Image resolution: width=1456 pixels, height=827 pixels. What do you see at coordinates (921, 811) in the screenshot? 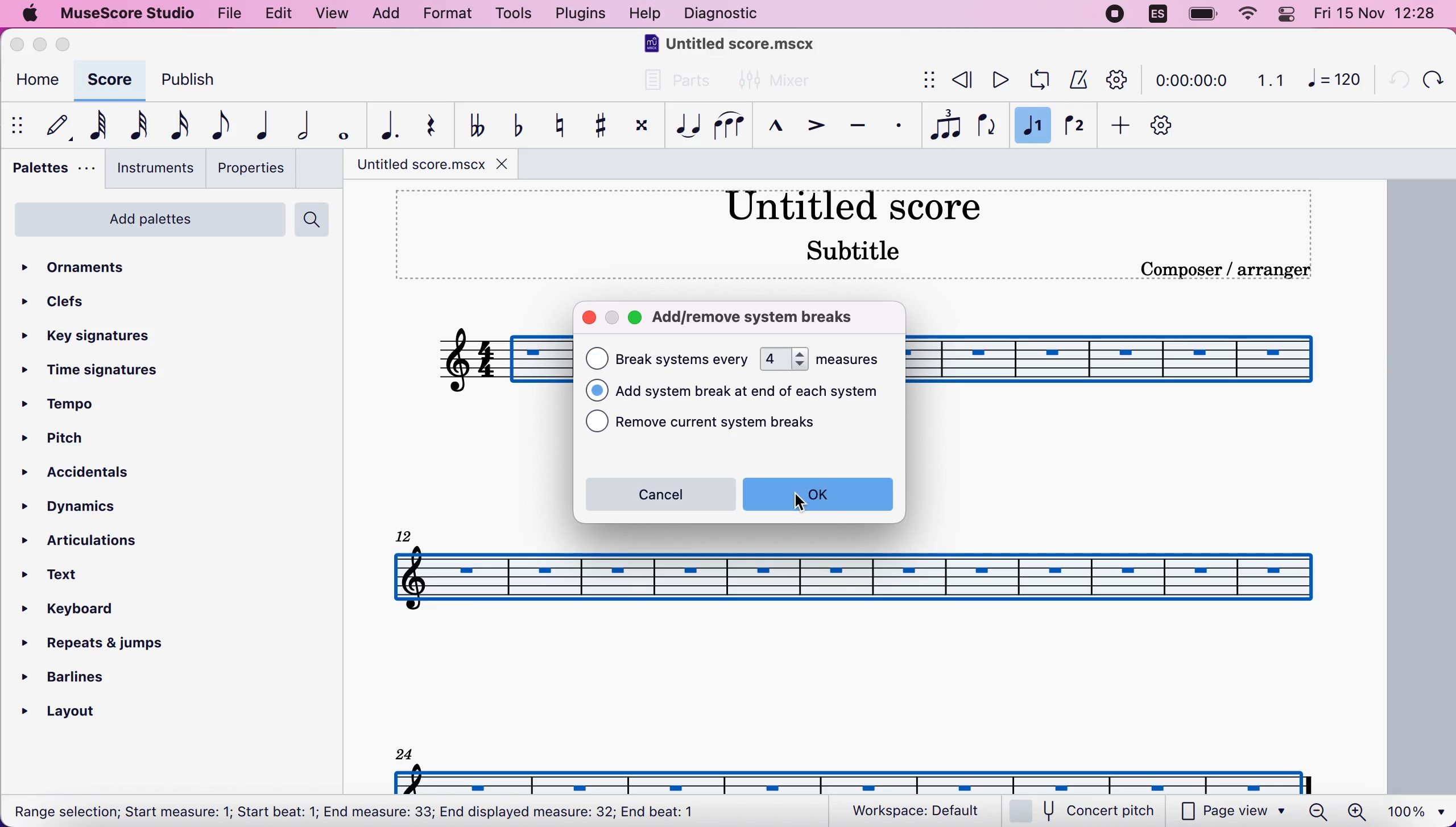
I see `workspace: default` at bounding box center [921, 811].